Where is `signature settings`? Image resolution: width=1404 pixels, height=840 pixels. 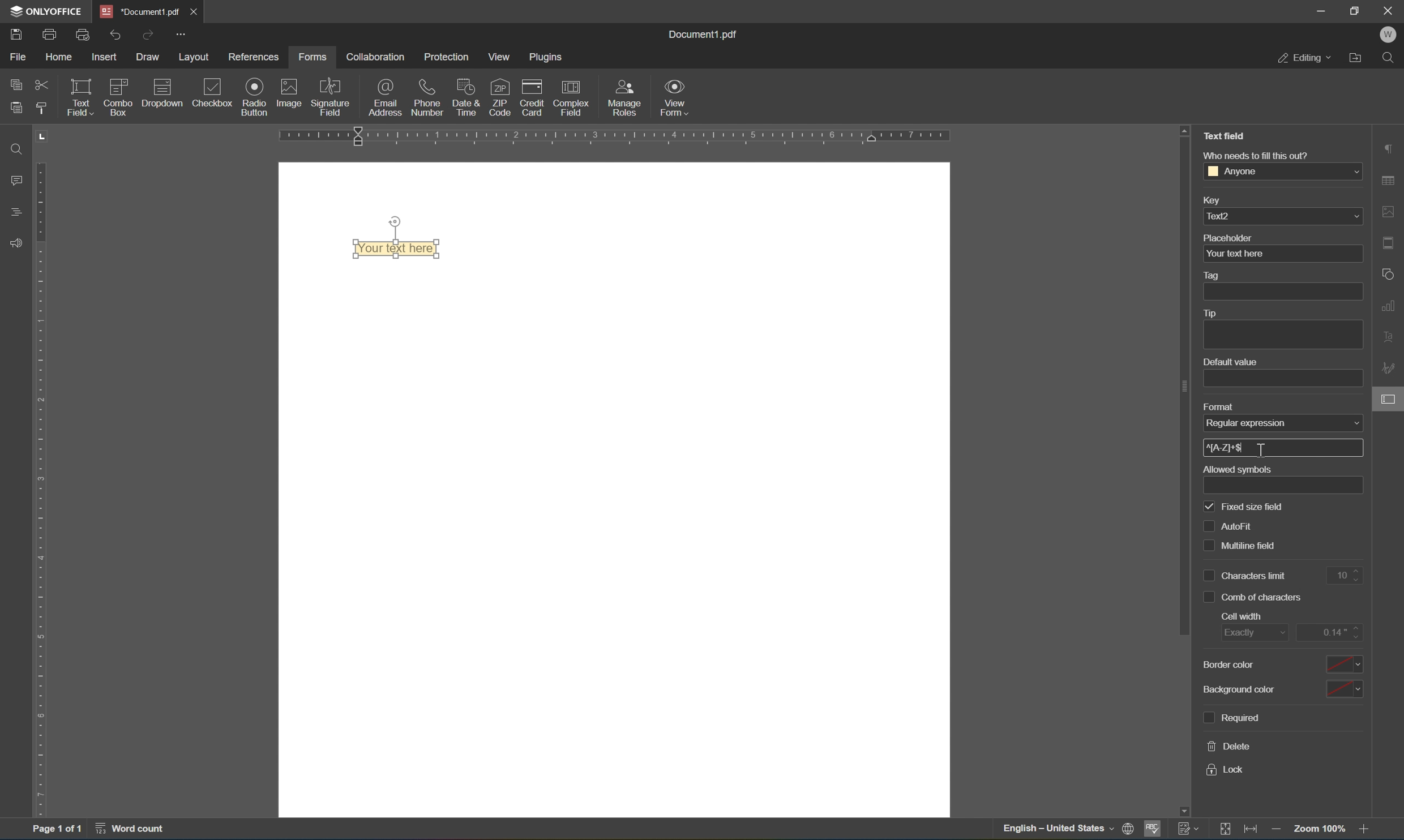
signature settings is located at coordinates (1388, 365).